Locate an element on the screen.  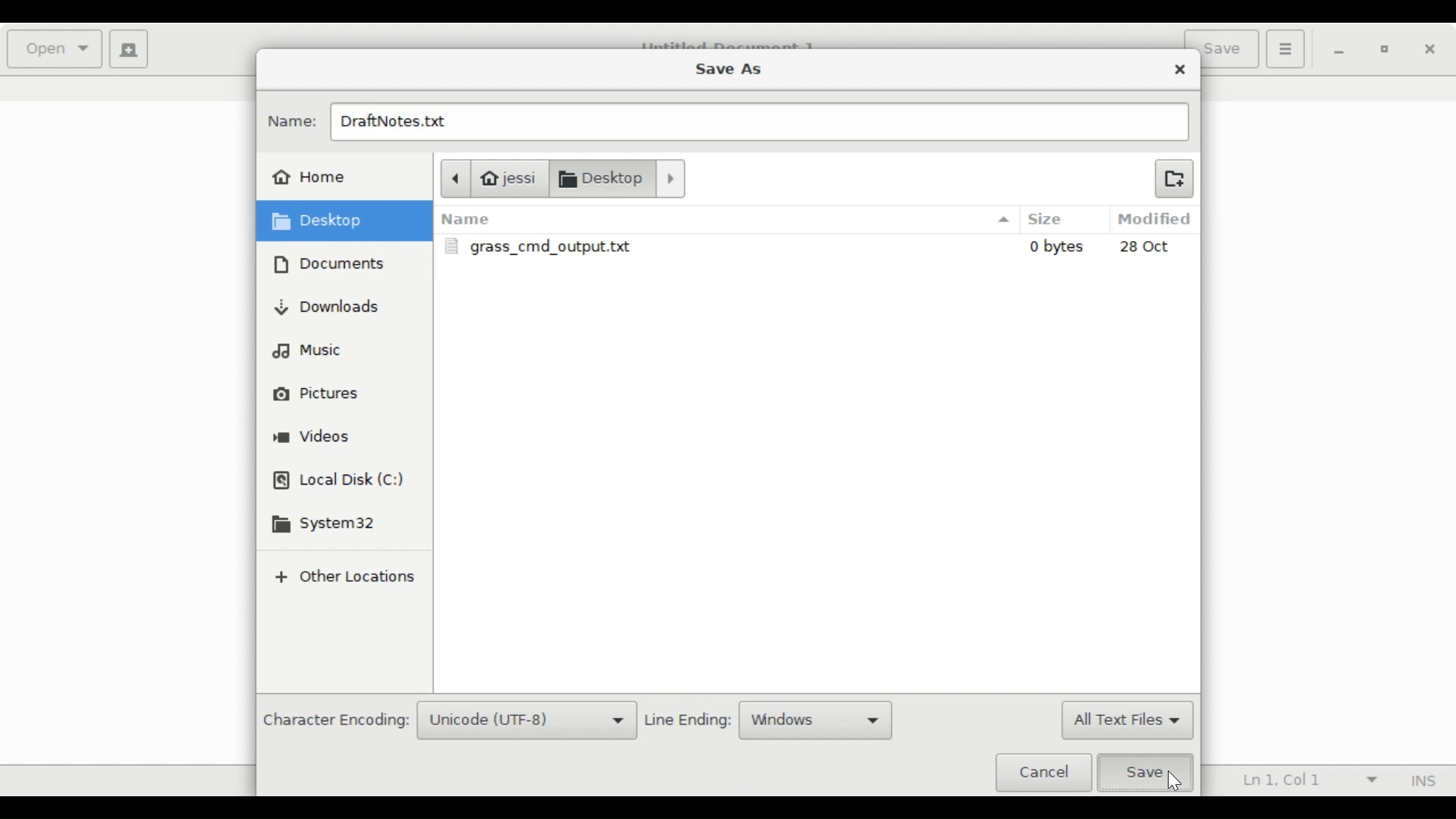
Close is located at coordinates (1181, 70).